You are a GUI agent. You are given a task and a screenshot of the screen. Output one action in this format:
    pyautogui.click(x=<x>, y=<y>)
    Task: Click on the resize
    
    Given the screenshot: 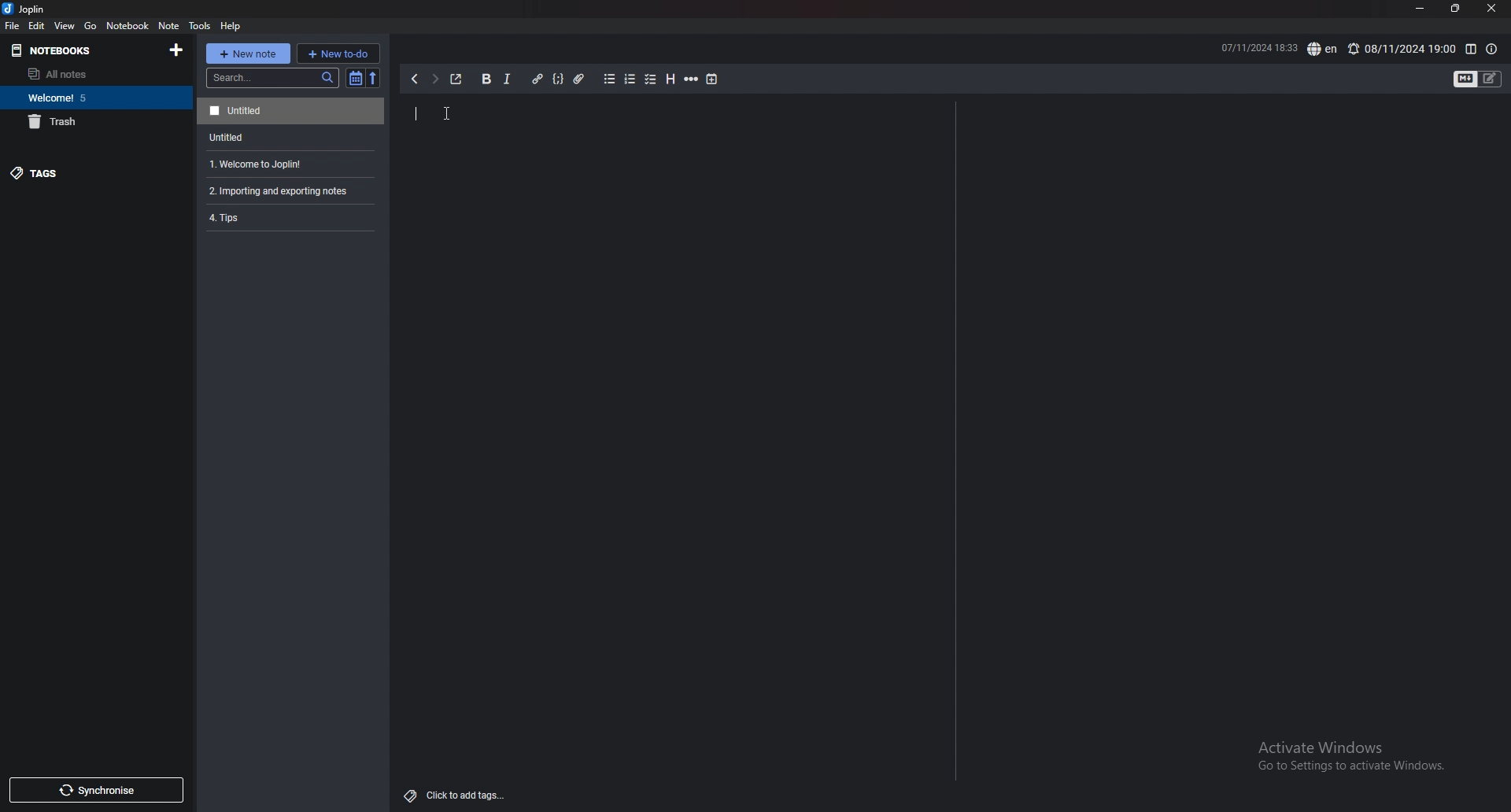 What is the action you would take?
    pyautogui.click(x=1454, y=9)
    